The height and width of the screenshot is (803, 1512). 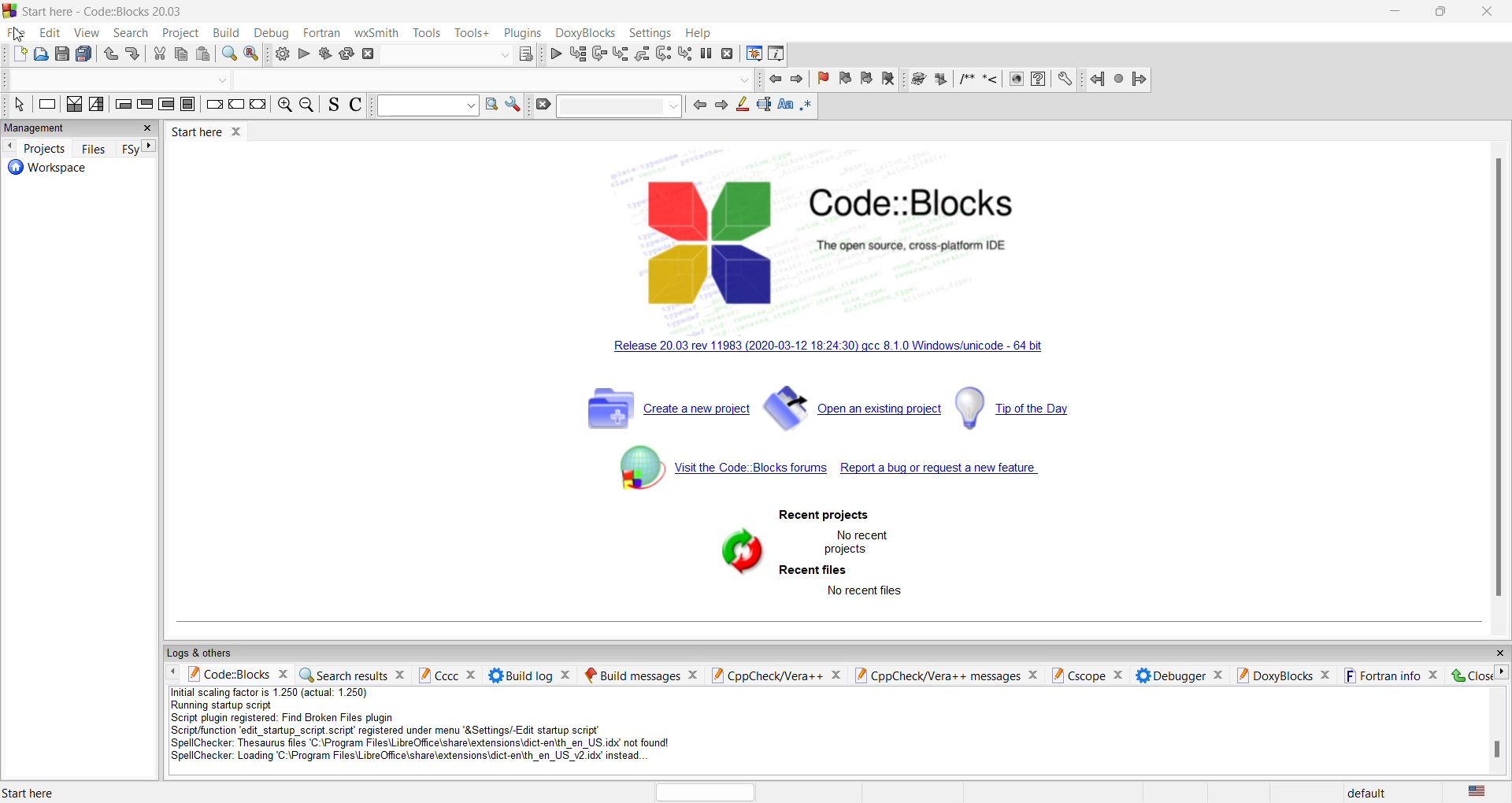 I want to click on fsyn, so click(x=130, y=148).